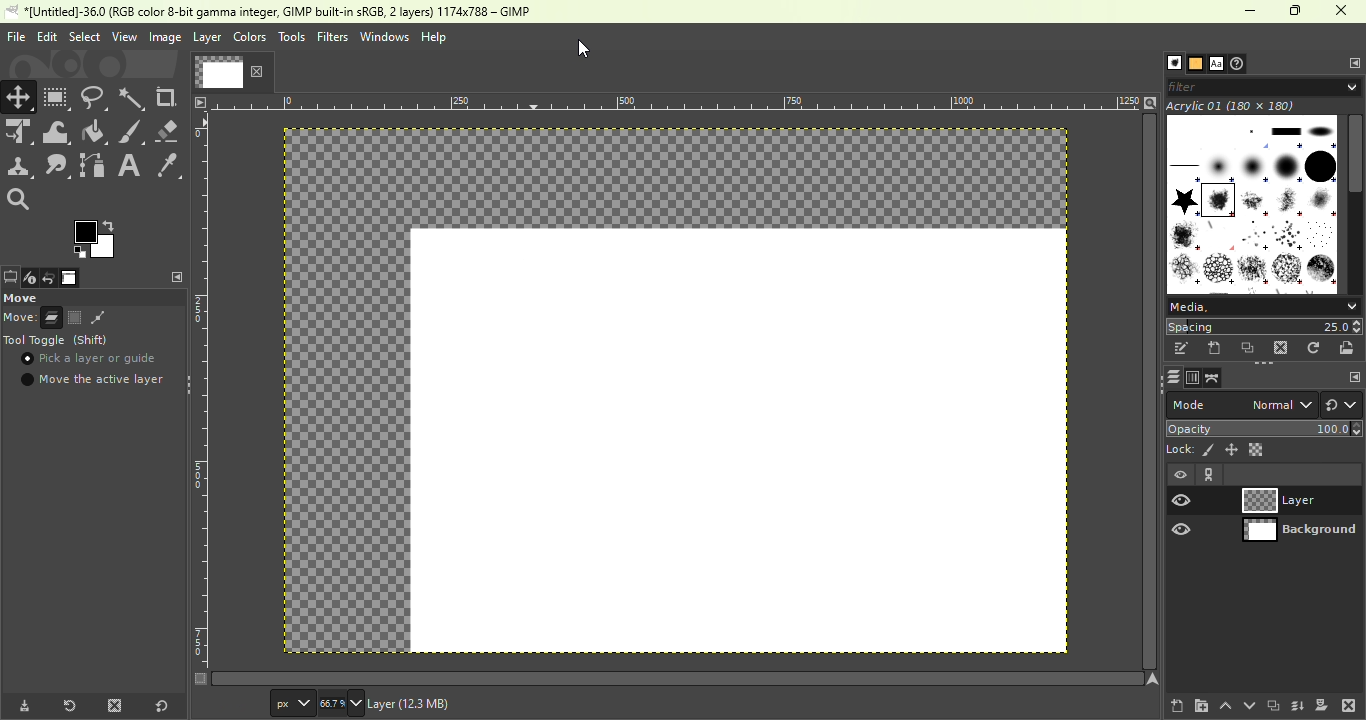 The width and height of the screenshot is (1366, 720). Describe the element at coordinates (1342, 405) in the screenshot. I see `Switch to another group of modes` at that location.